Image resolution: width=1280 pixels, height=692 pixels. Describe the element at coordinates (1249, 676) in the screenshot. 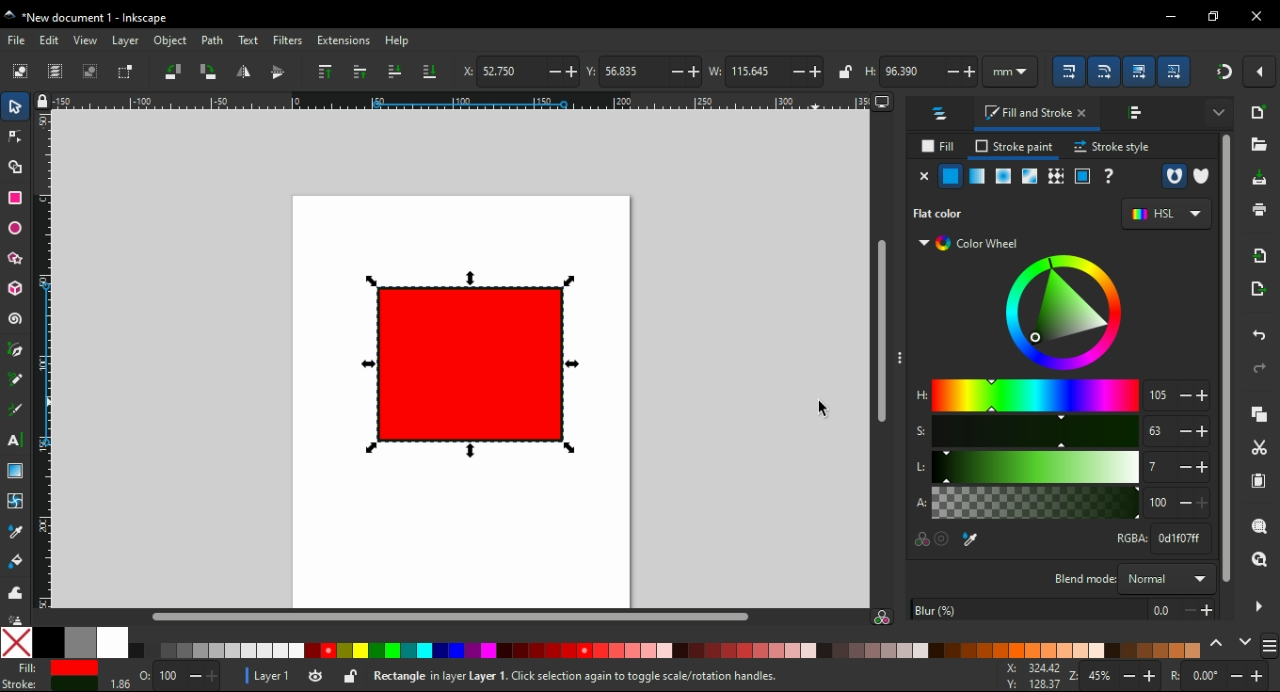

I see `increase/decrease` at that location.